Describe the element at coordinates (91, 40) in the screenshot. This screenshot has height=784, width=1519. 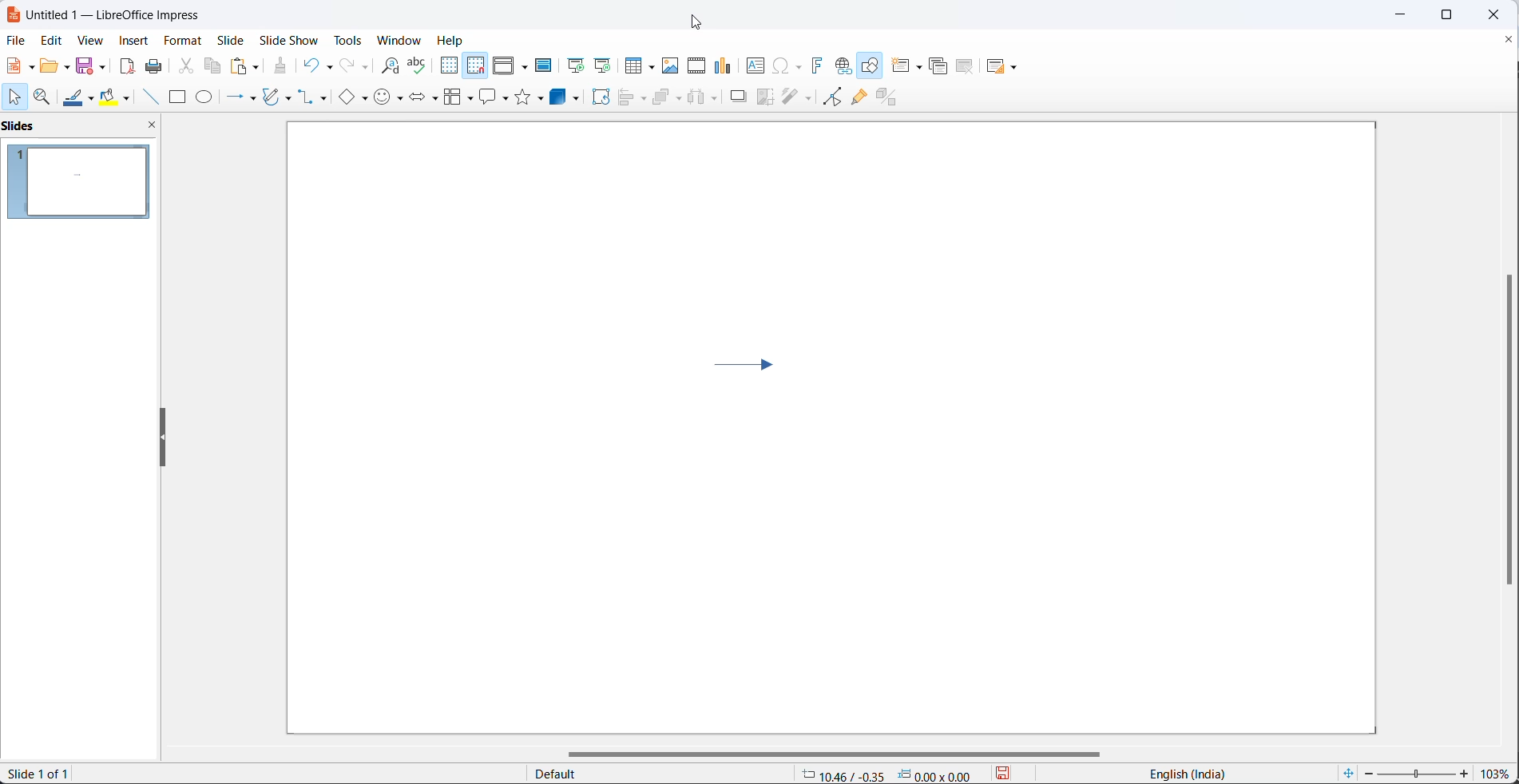
I see `view ` at that location.